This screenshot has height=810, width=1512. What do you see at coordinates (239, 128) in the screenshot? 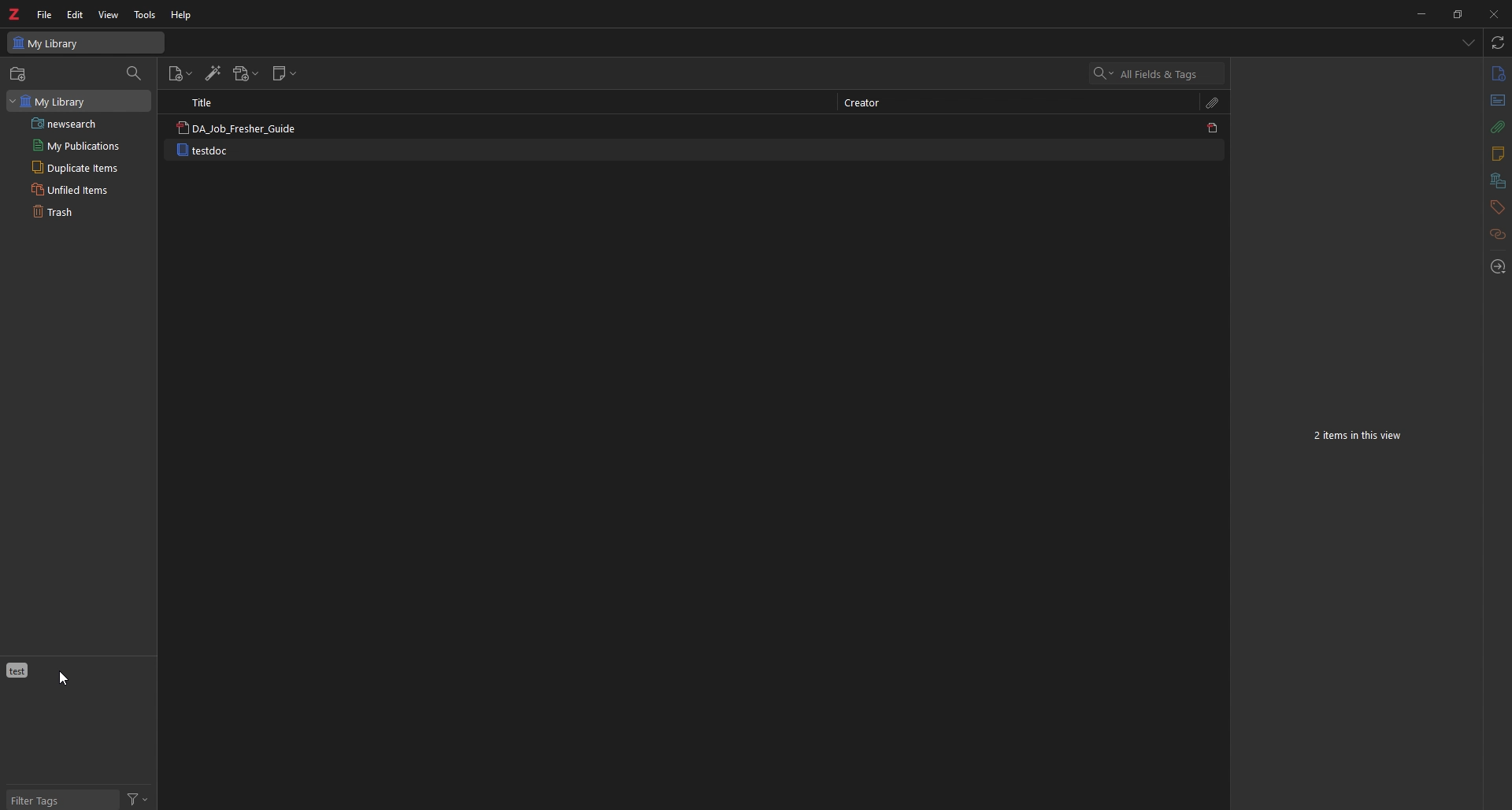
I see `DAJob_Fresher_Guide` at bounding box center [239, 128].